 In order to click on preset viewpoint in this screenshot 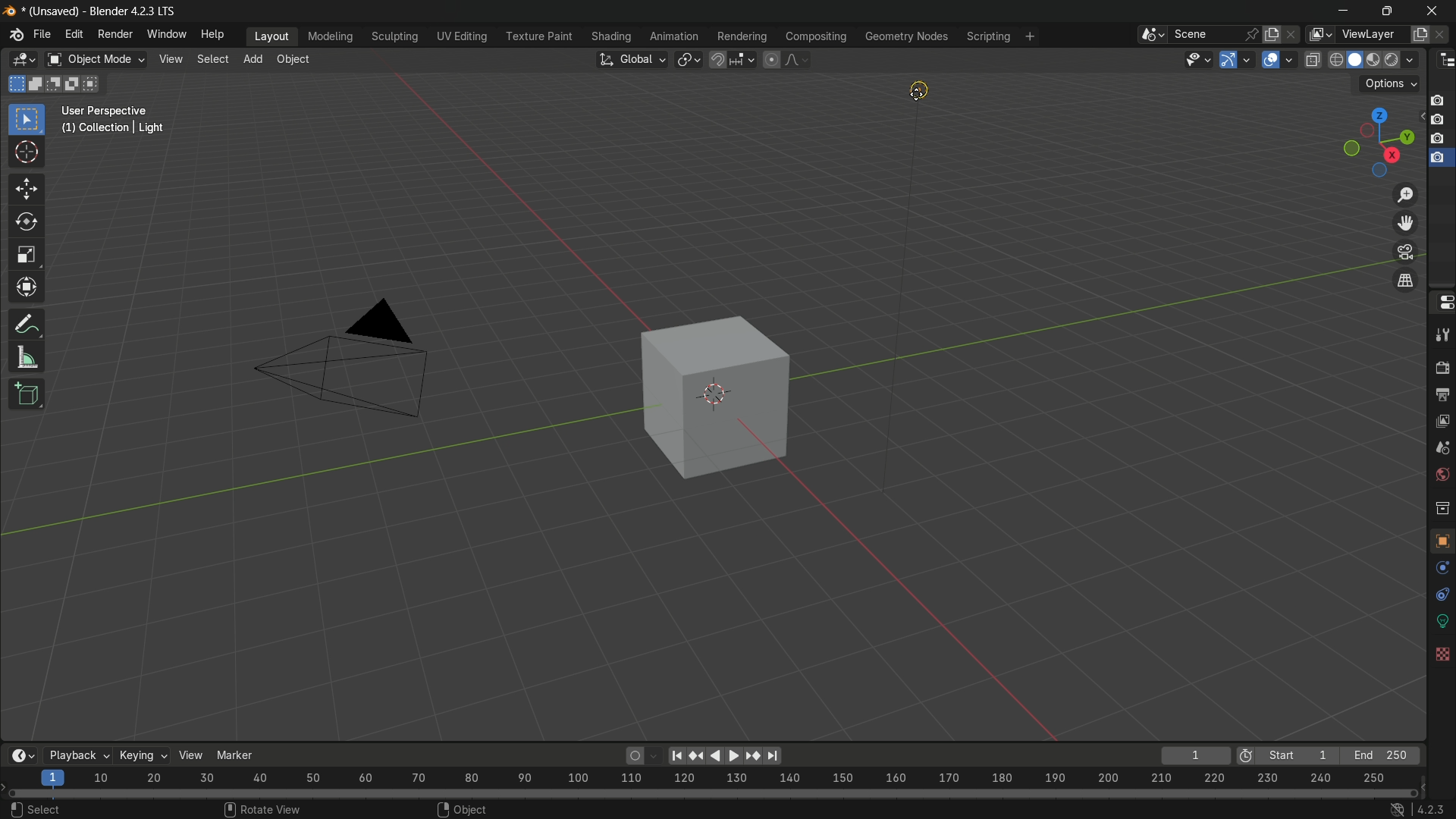, I will do `click(1368, 140)`.